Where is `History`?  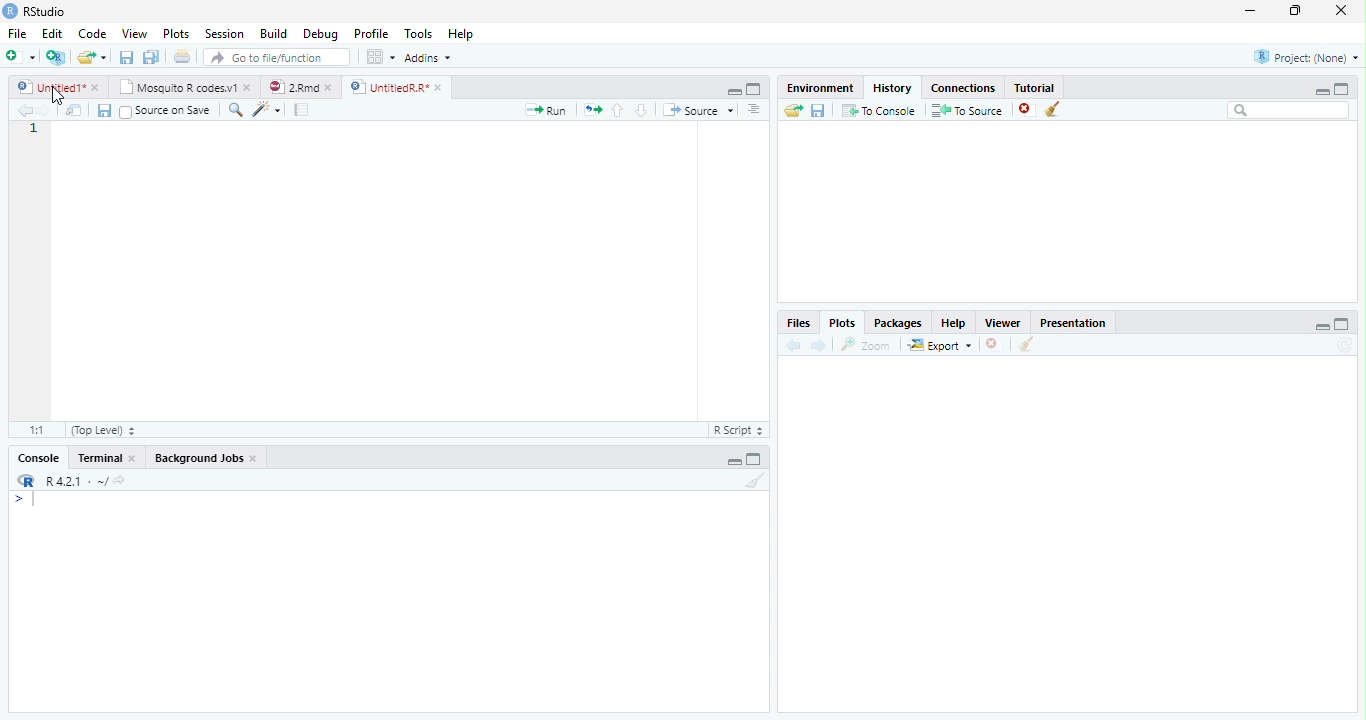
History is located at coordinates (893, 87).